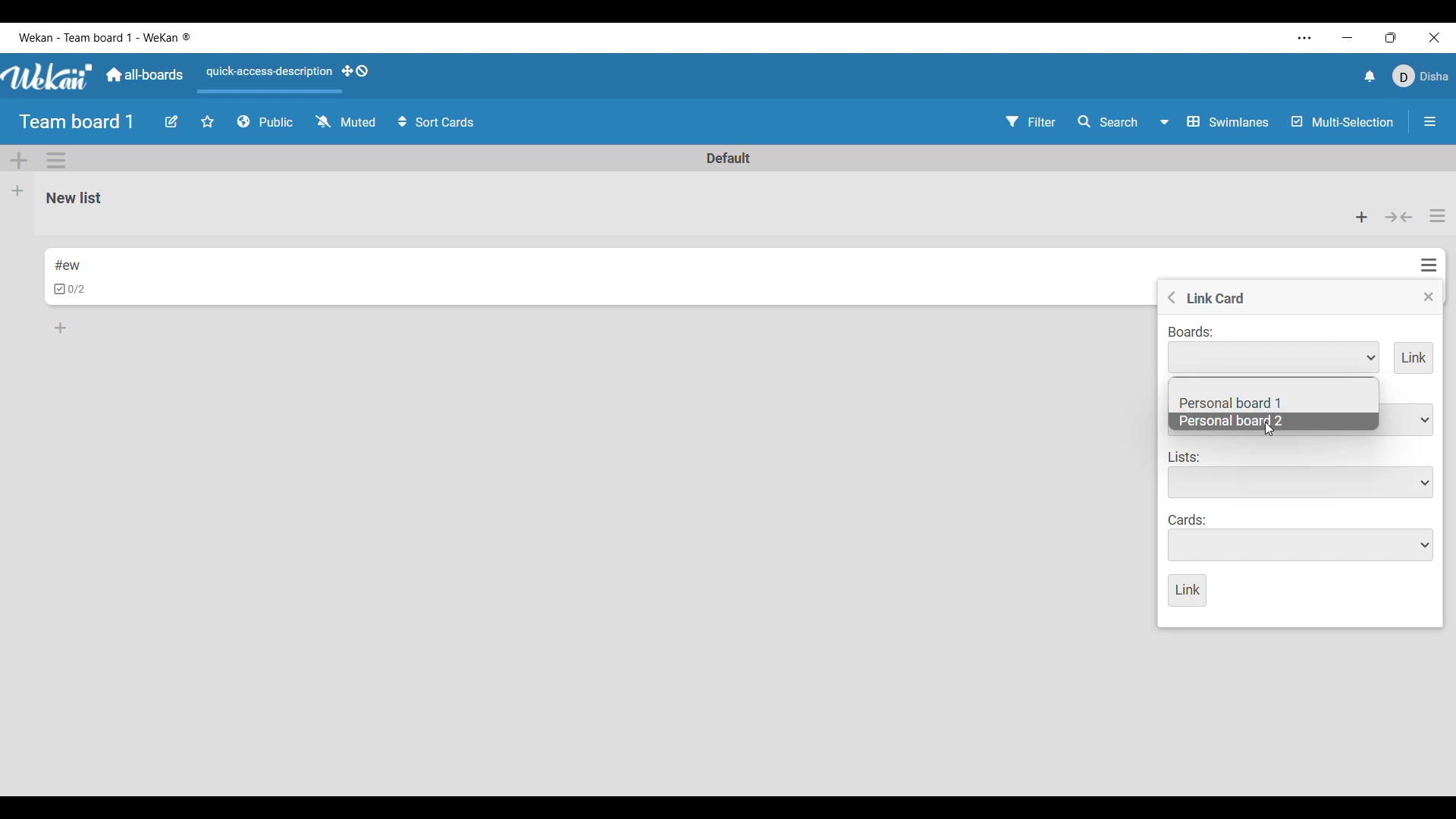 The height and width of the screenshot is (819, 1456). I want to click on Card actions, so click(1429, 265).